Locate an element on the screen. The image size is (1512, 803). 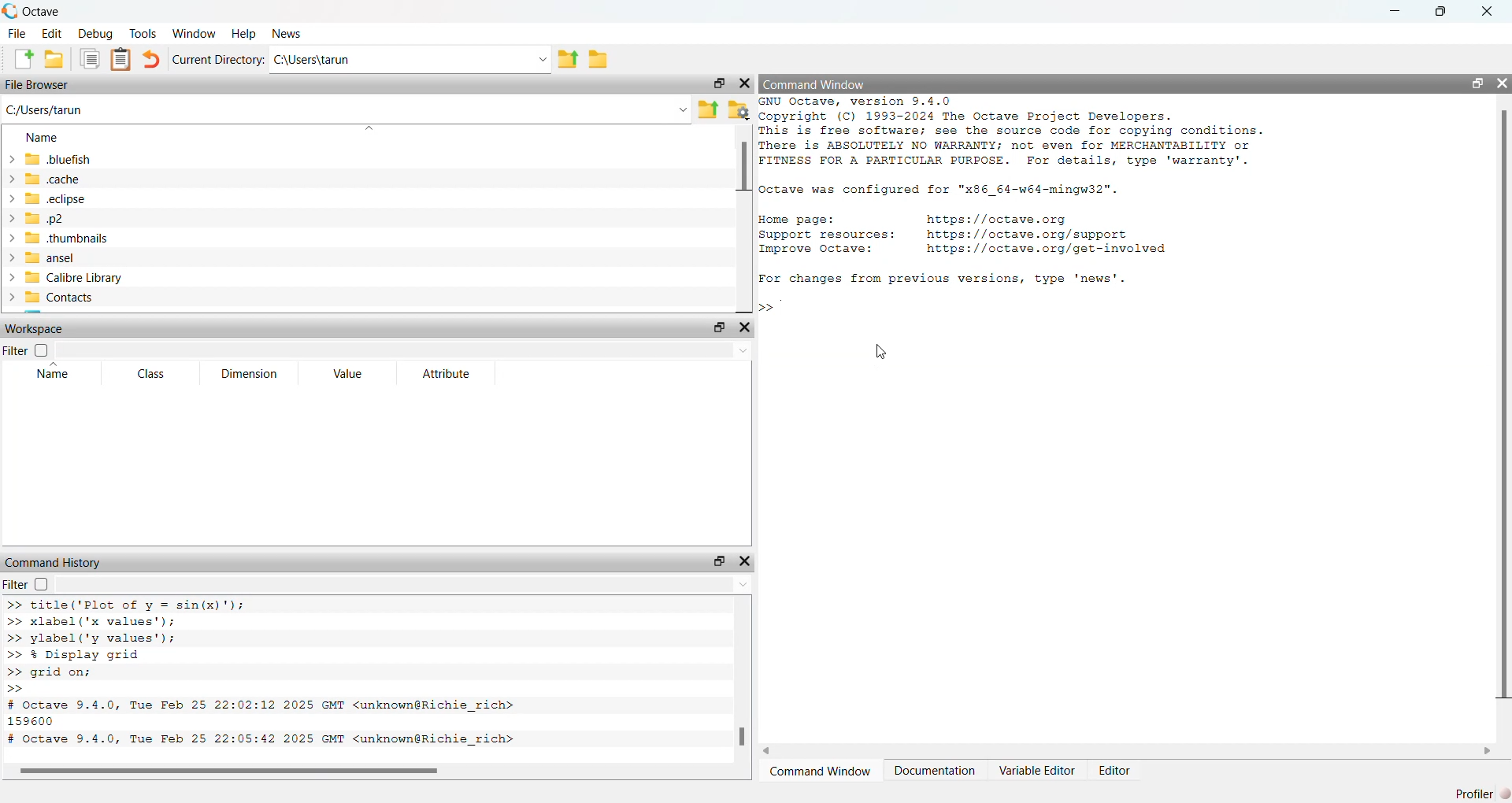
Filter checkbox is located at coordinates (28, 583).